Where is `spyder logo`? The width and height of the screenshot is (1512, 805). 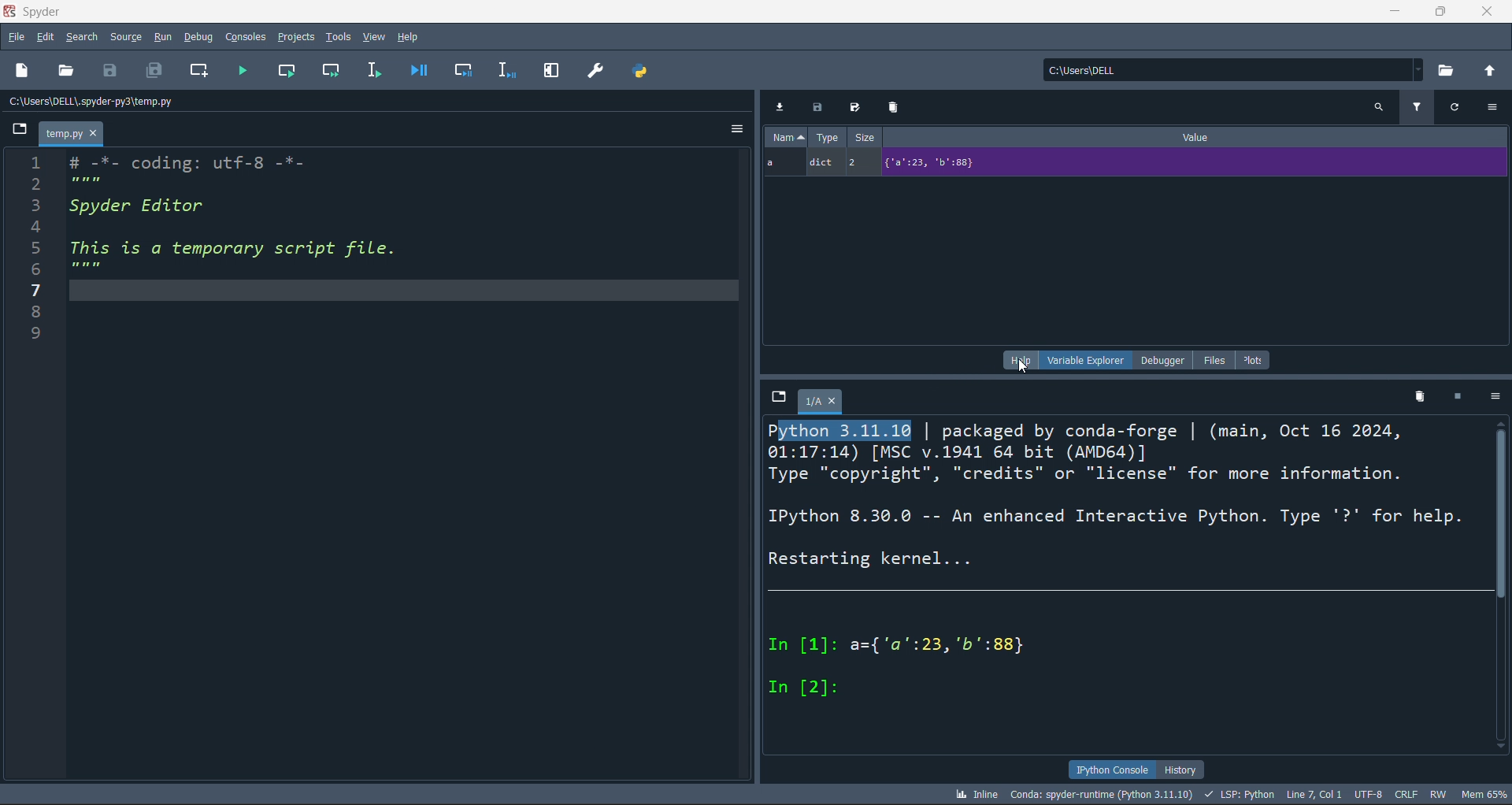
spyder logo is located at coordinates (10, 9).